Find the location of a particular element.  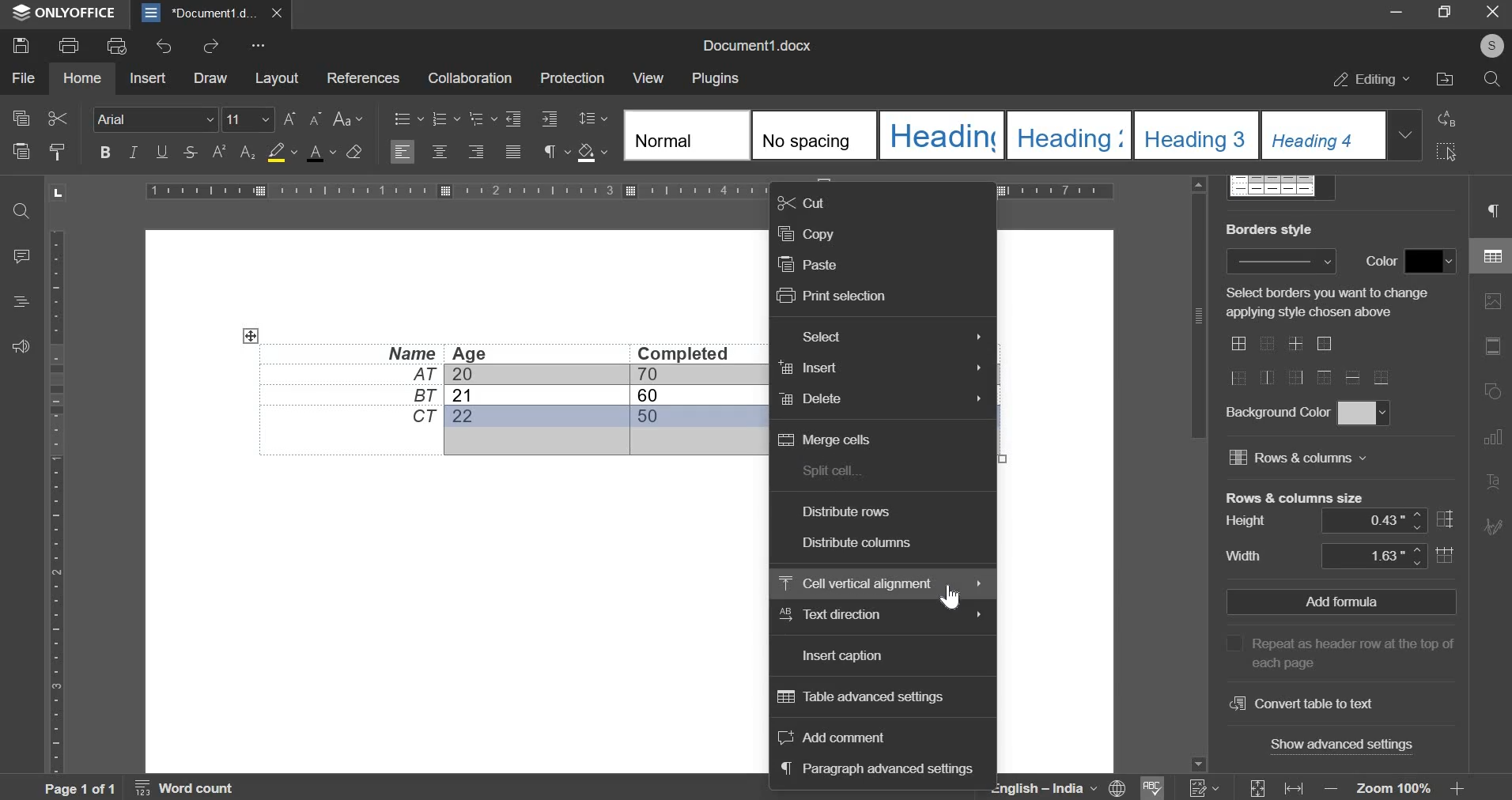

select is located at coordinates (820, 336).